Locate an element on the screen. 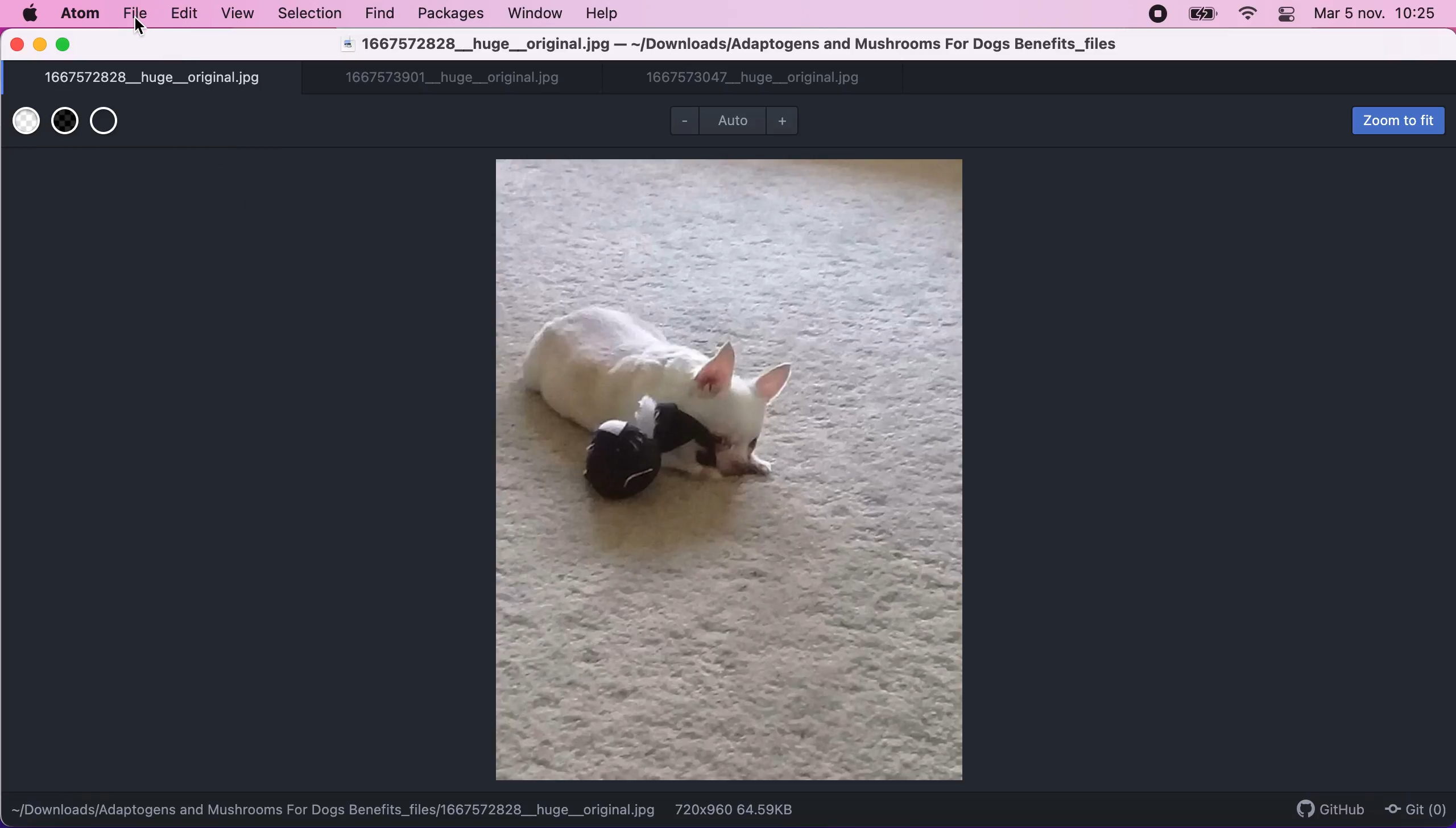 The height and width of the screenshot is (828, 1456). edit is located at coordinates (185, 14).